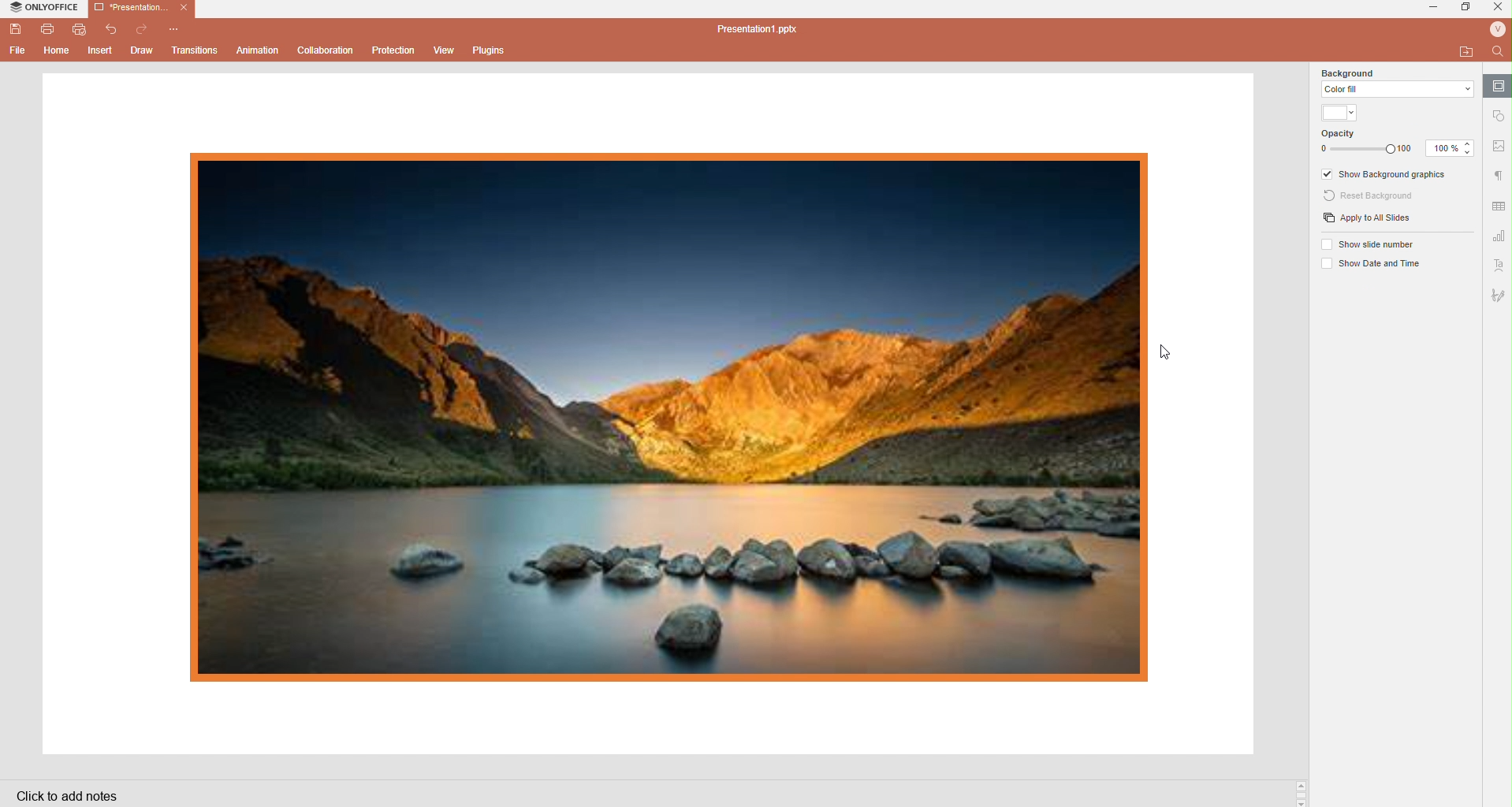 Image resolution: width=1512 pixels, height=807 pixels. What do you see at coordinates (129, 7) in the screenshot?
I see `Presentation1.` at bounding box center [129, 7].